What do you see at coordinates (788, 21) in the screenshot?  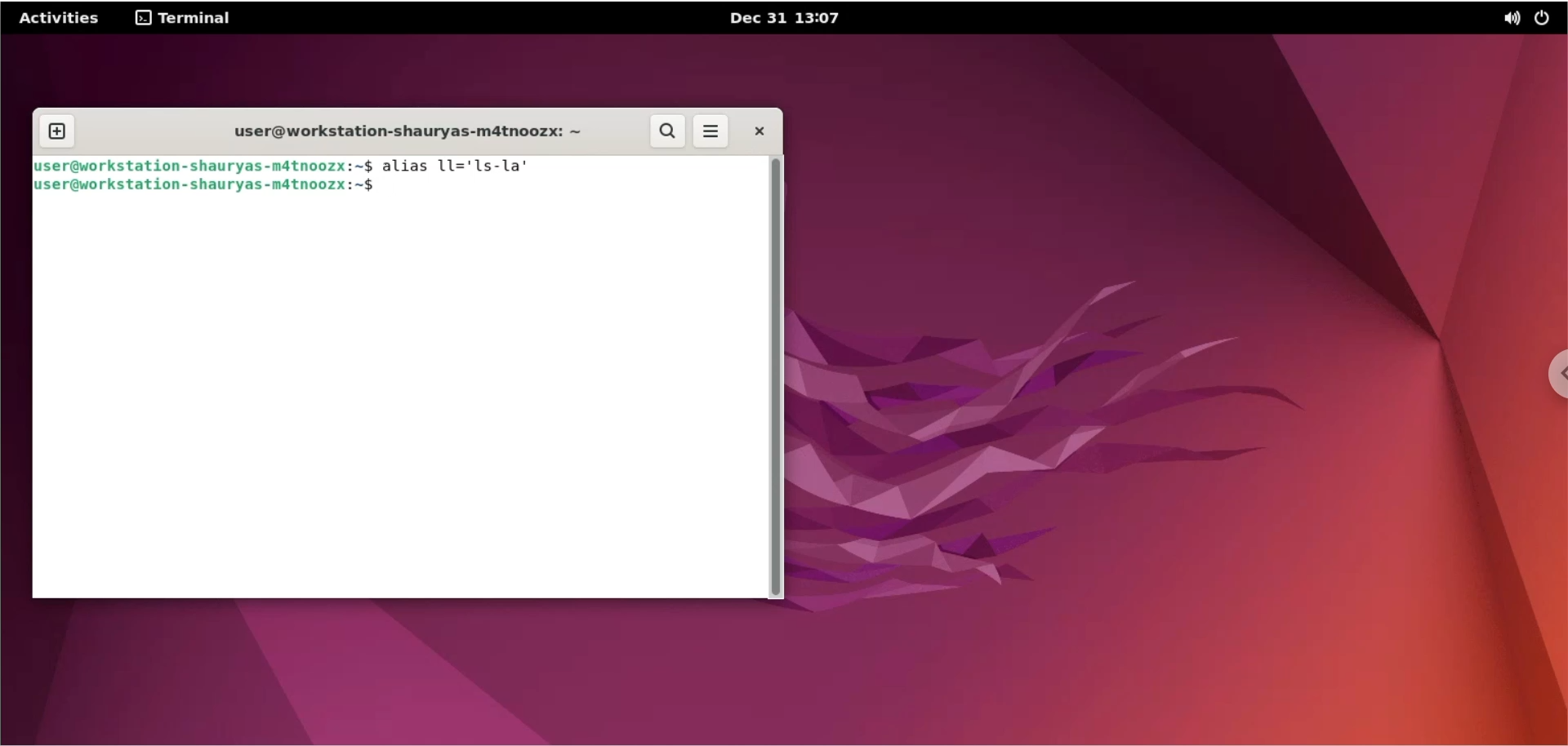 I see `Dec 31 13:07` at bounding box center [788, 21].